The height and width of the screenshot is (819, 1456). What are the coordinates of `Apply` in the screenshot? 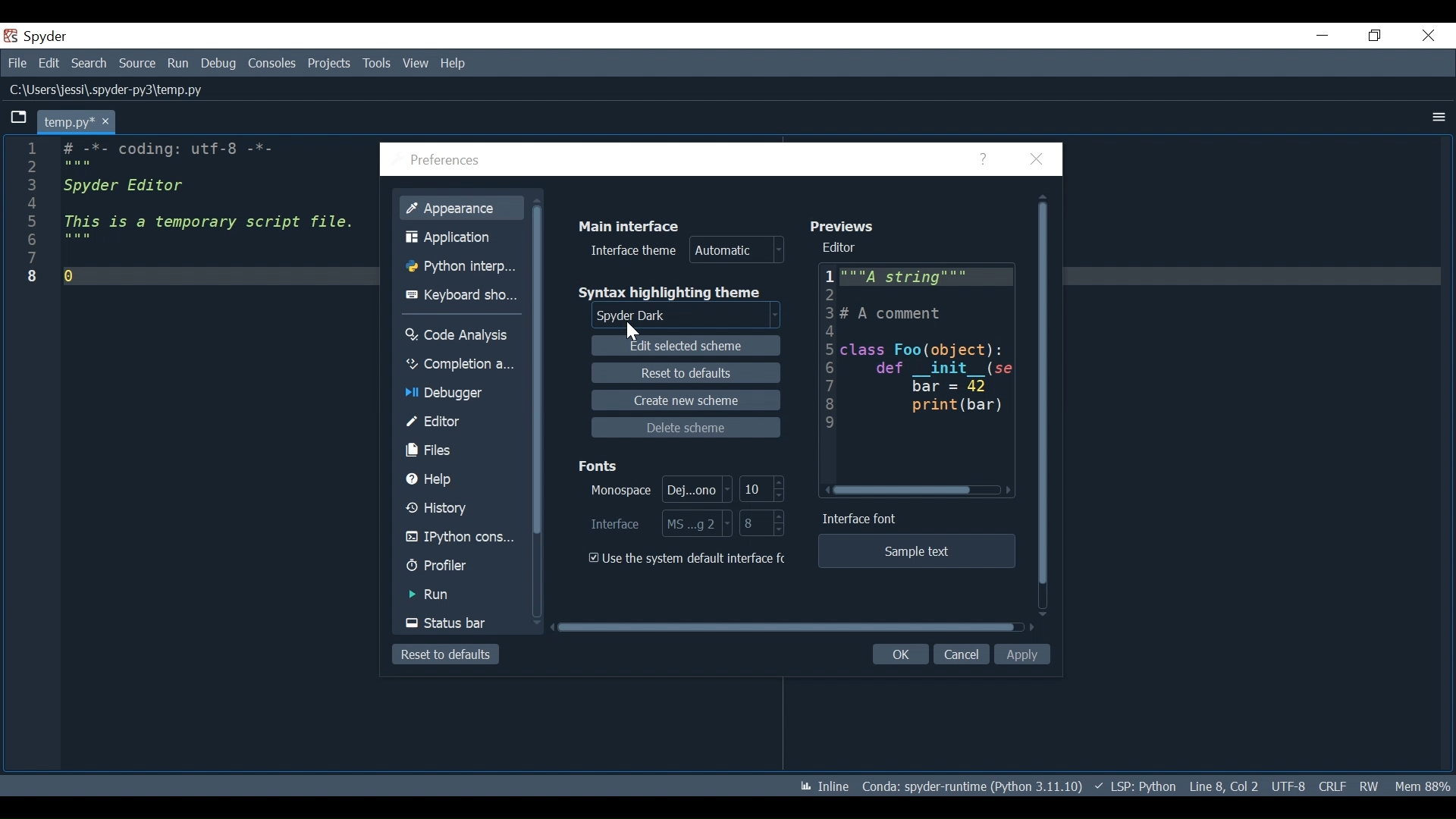 It's located at (1022, 654).